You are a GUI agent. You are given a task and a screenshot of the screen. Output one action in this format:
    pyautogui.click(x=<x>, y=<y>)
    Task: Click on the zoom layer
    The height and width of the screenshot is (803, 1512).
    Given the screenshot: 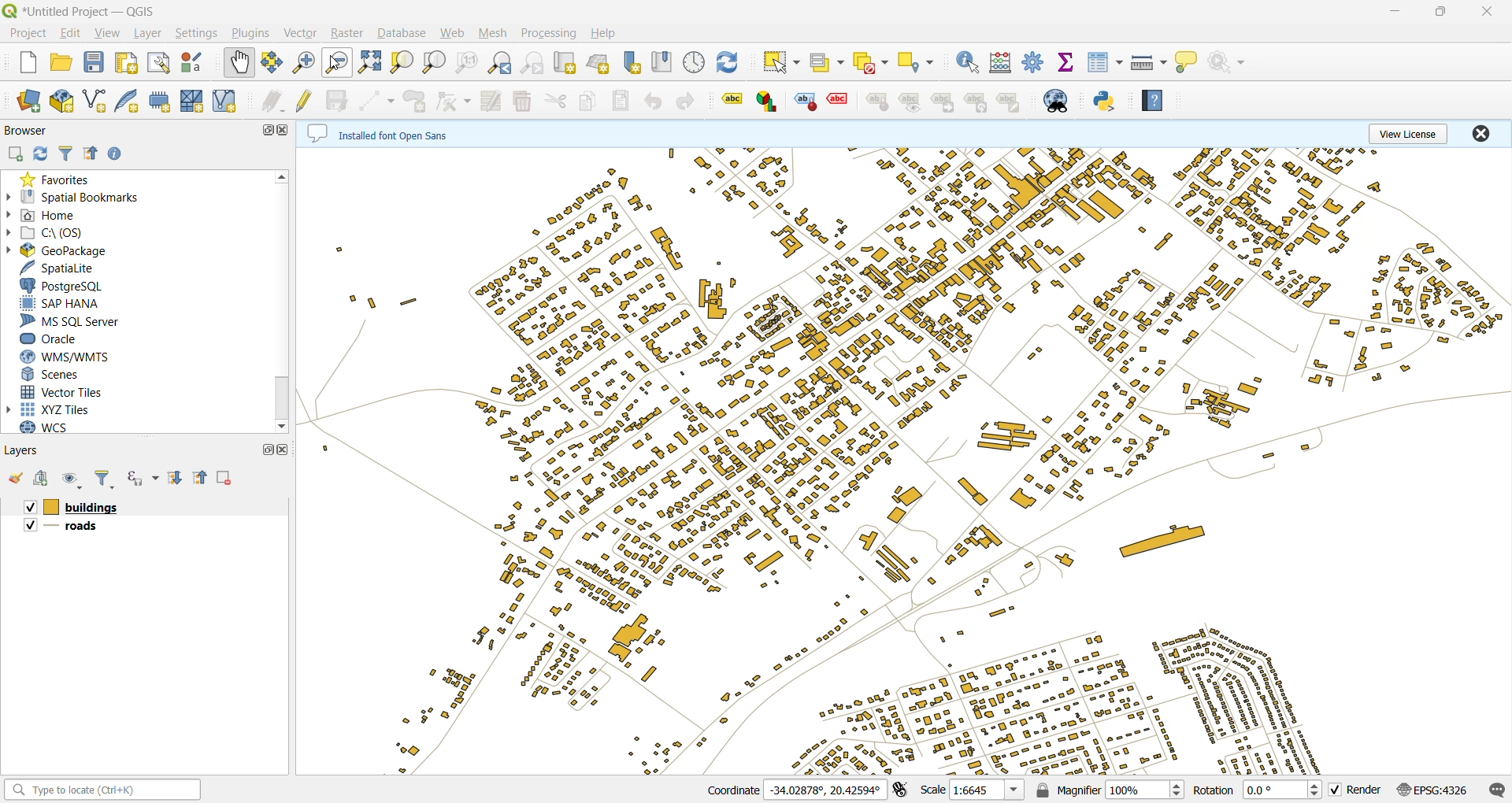 What is the action you would take?
    pyautogui.click(x=435, y=64)
    